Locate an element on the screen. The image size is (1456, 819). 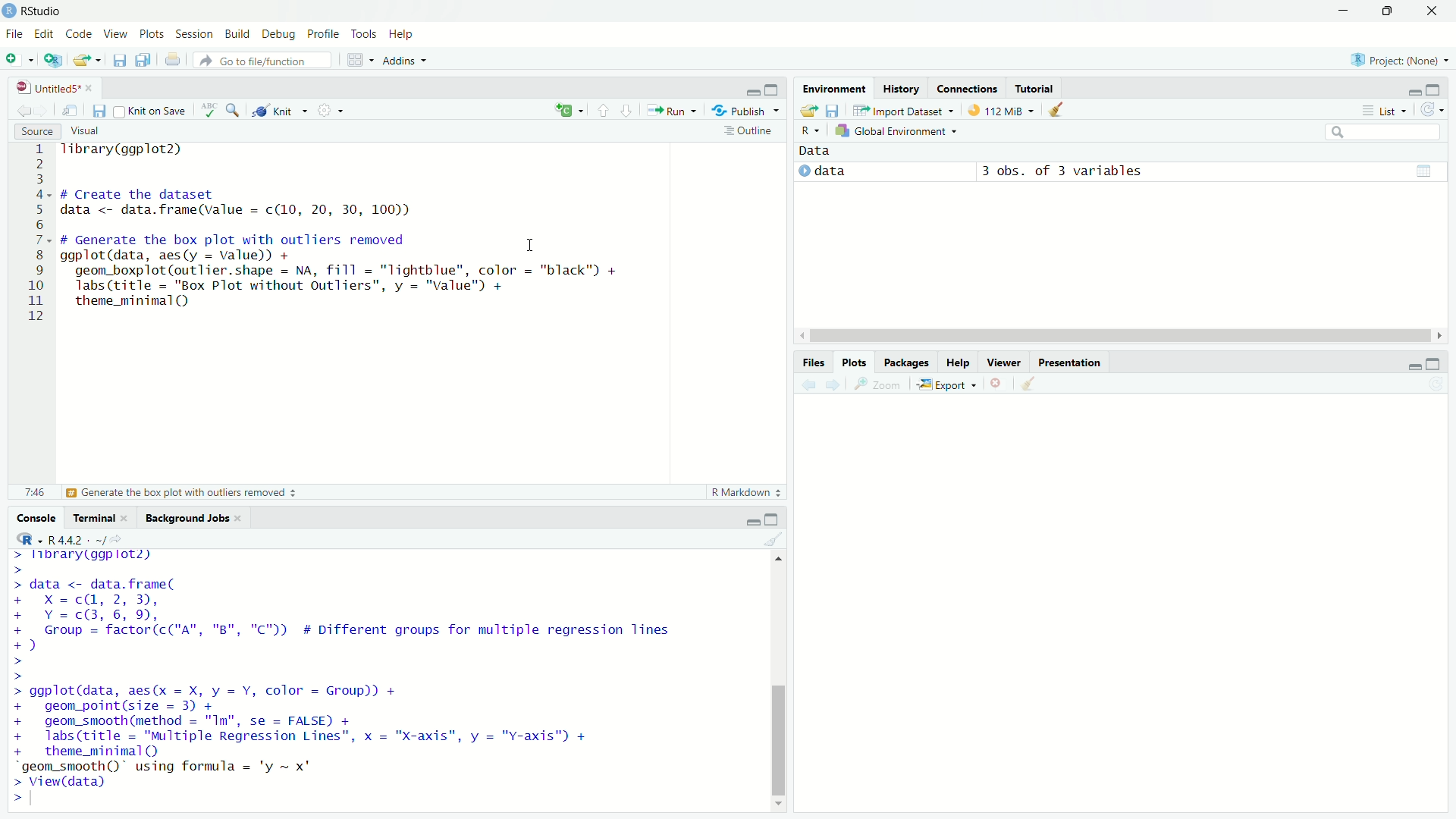
add is located at coordinates (17, 62).